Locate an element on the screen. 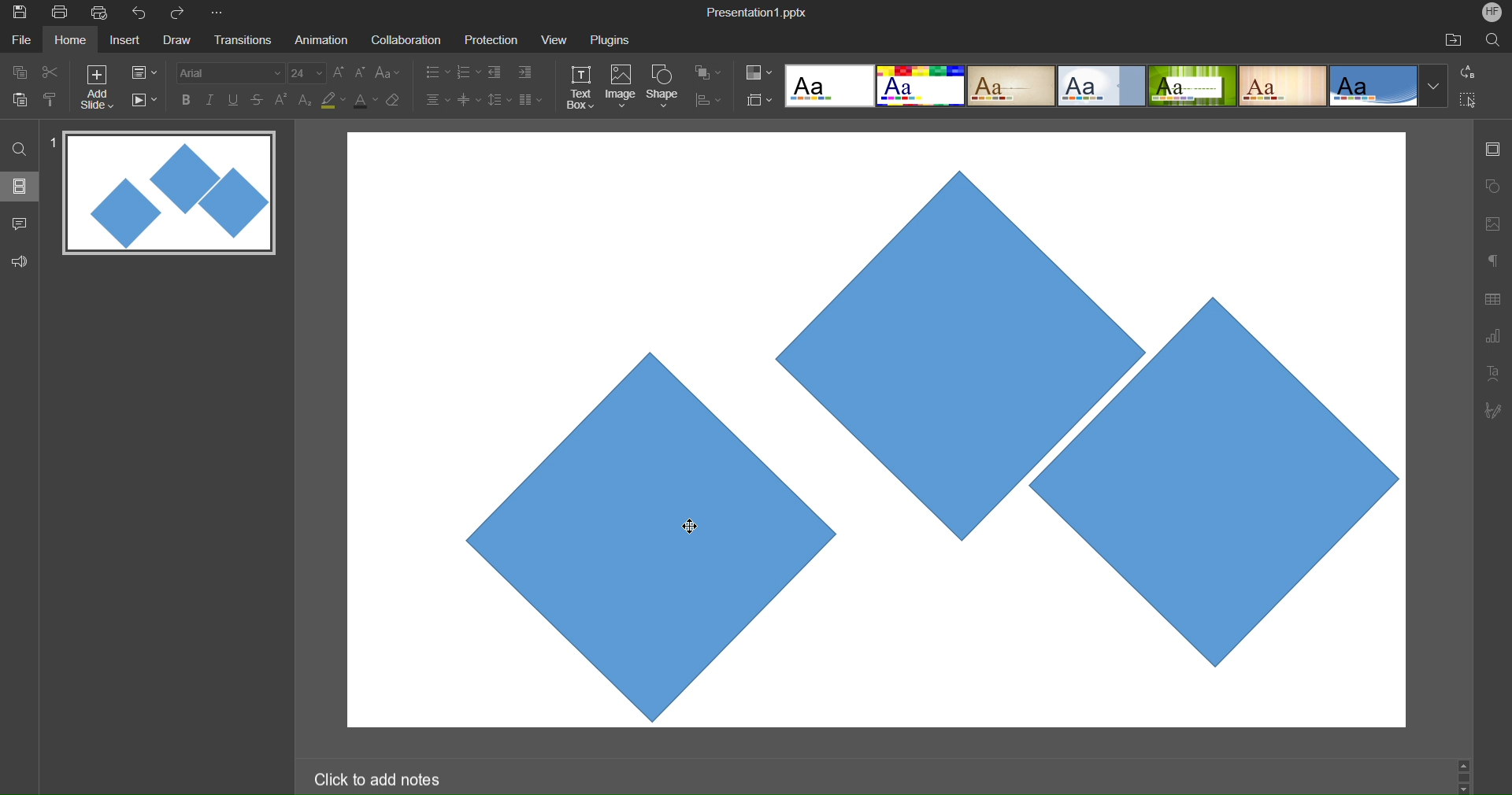 This screenshot has height=795, width=1512. Draw is located at coordinates (176, 41).